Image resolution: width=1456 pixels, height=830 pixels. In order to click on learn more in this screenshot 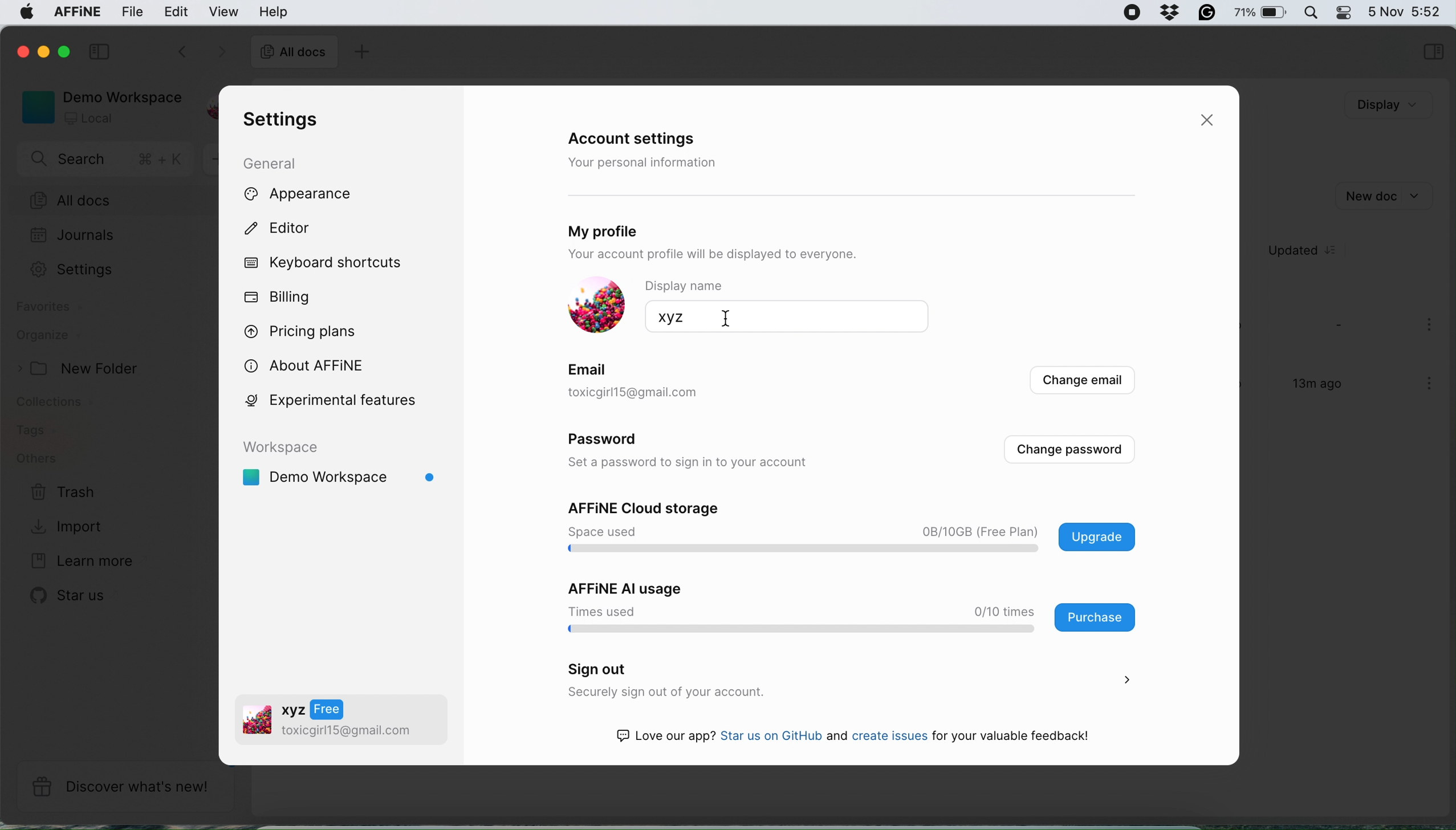, I will do `click(79, 562)`.